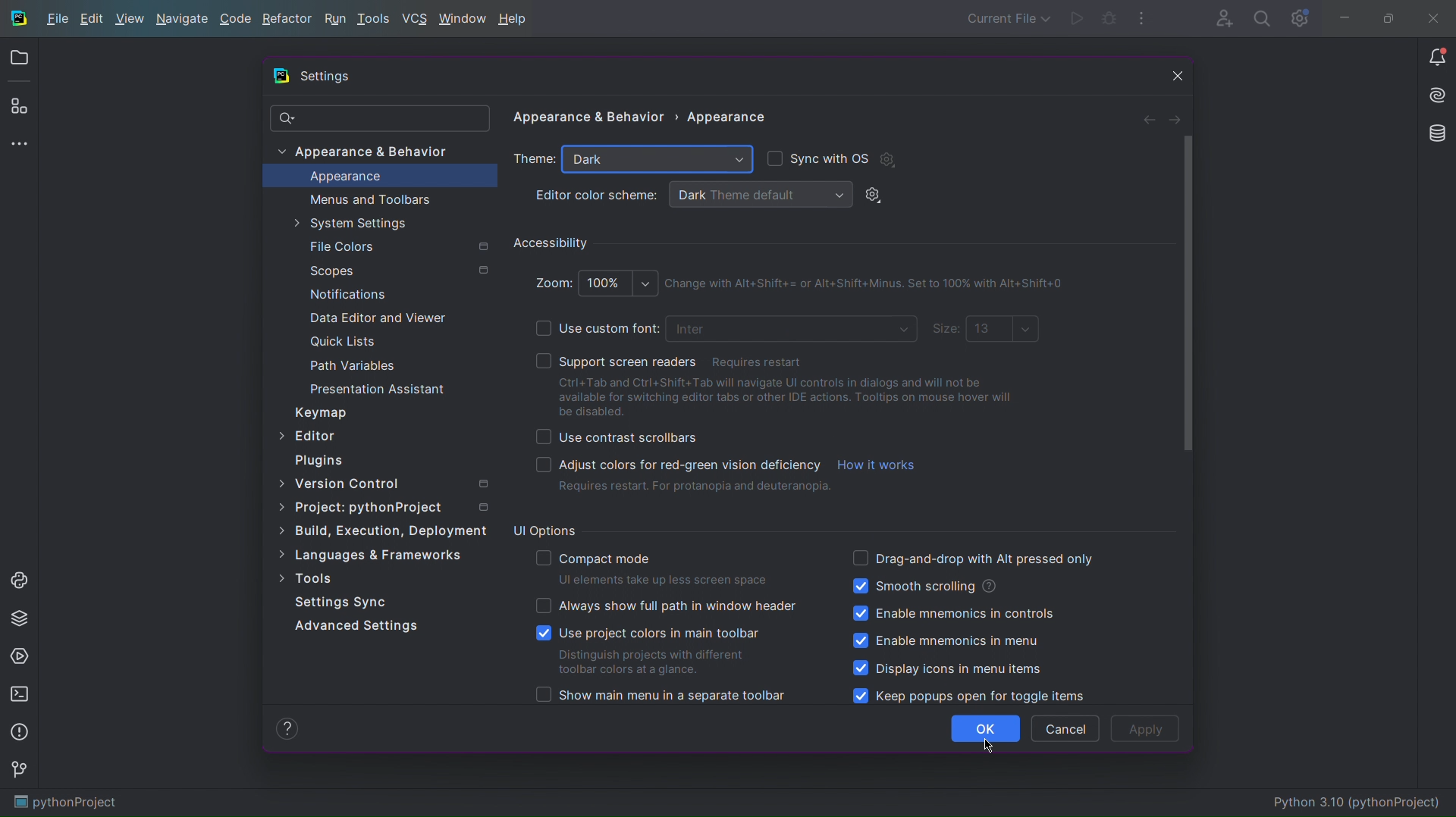 This screenshot has height=817, width=1456. What do you see at coordinates (18, 58) in the screenshot?
I see `Open Folder` at bounding box center [18, 58].